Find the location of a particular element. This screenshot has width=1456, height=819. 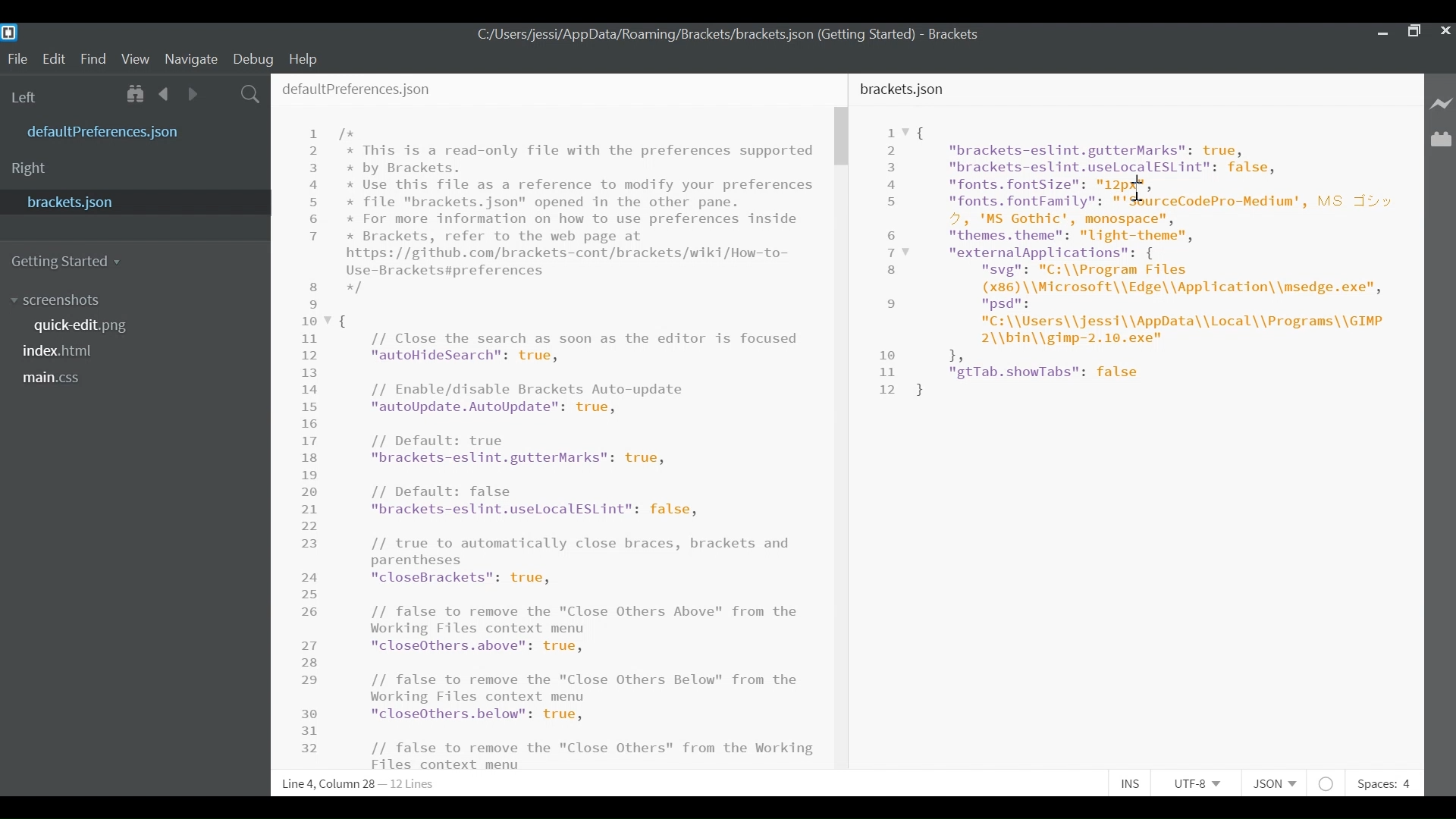

Help is located at coordinates (306, 58).